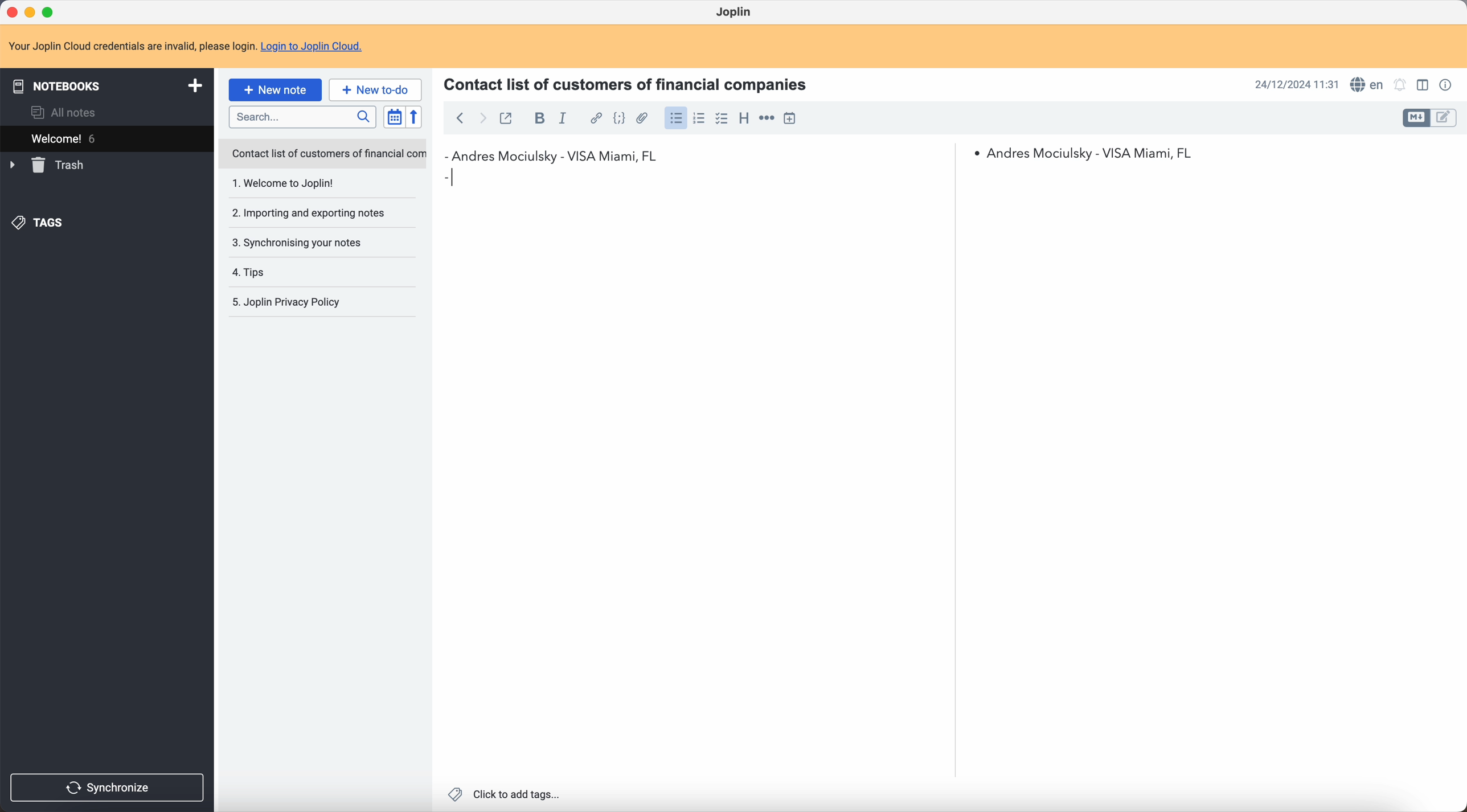 The image size is (1467, 812). What do you see at coordinates (276, 90) in the screenshot?
I see `click on new note` at bounding box center [276, 90].